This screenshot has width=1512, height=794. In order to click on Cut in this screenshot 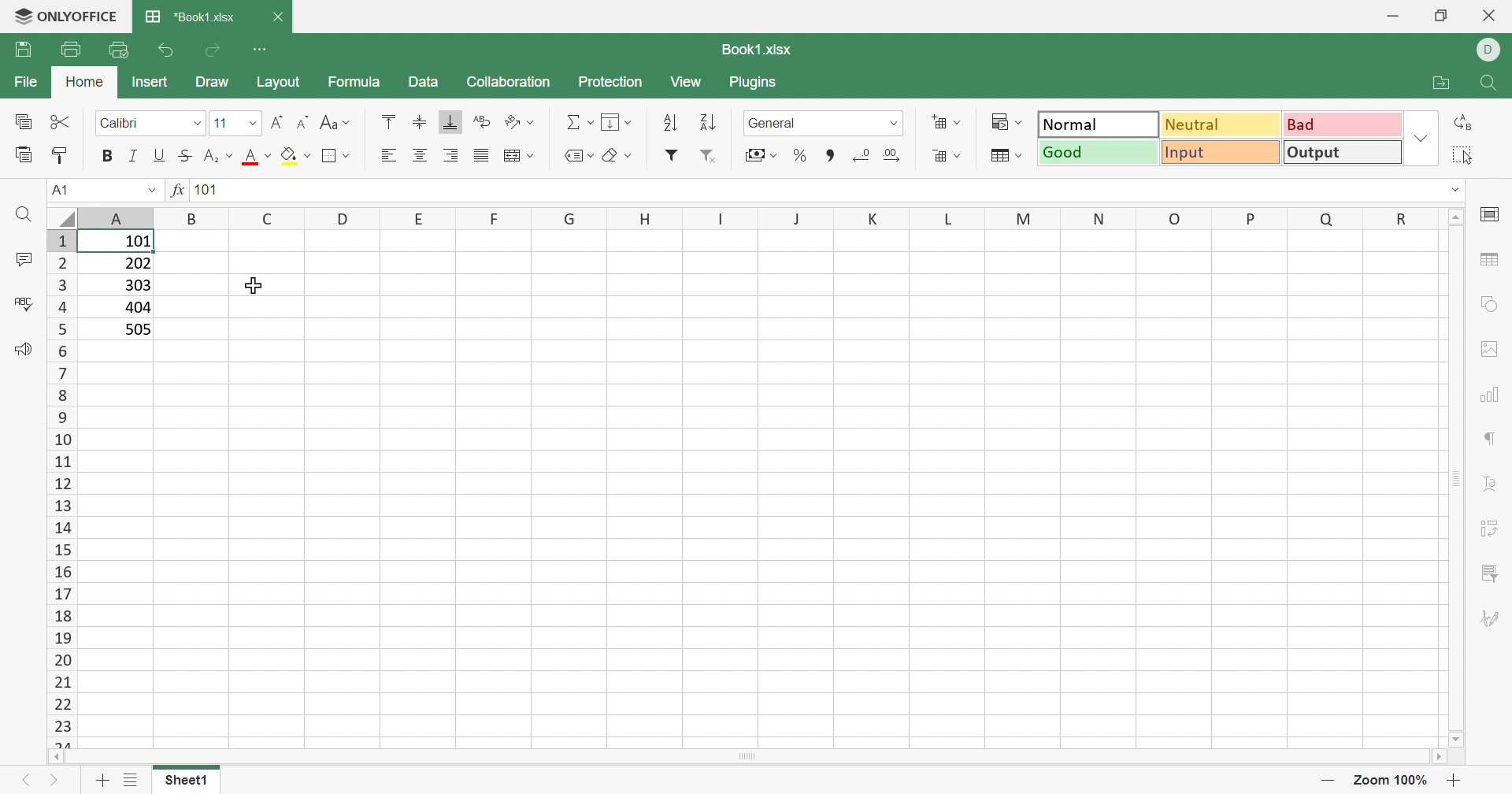, I will do `click(62, 122)`.